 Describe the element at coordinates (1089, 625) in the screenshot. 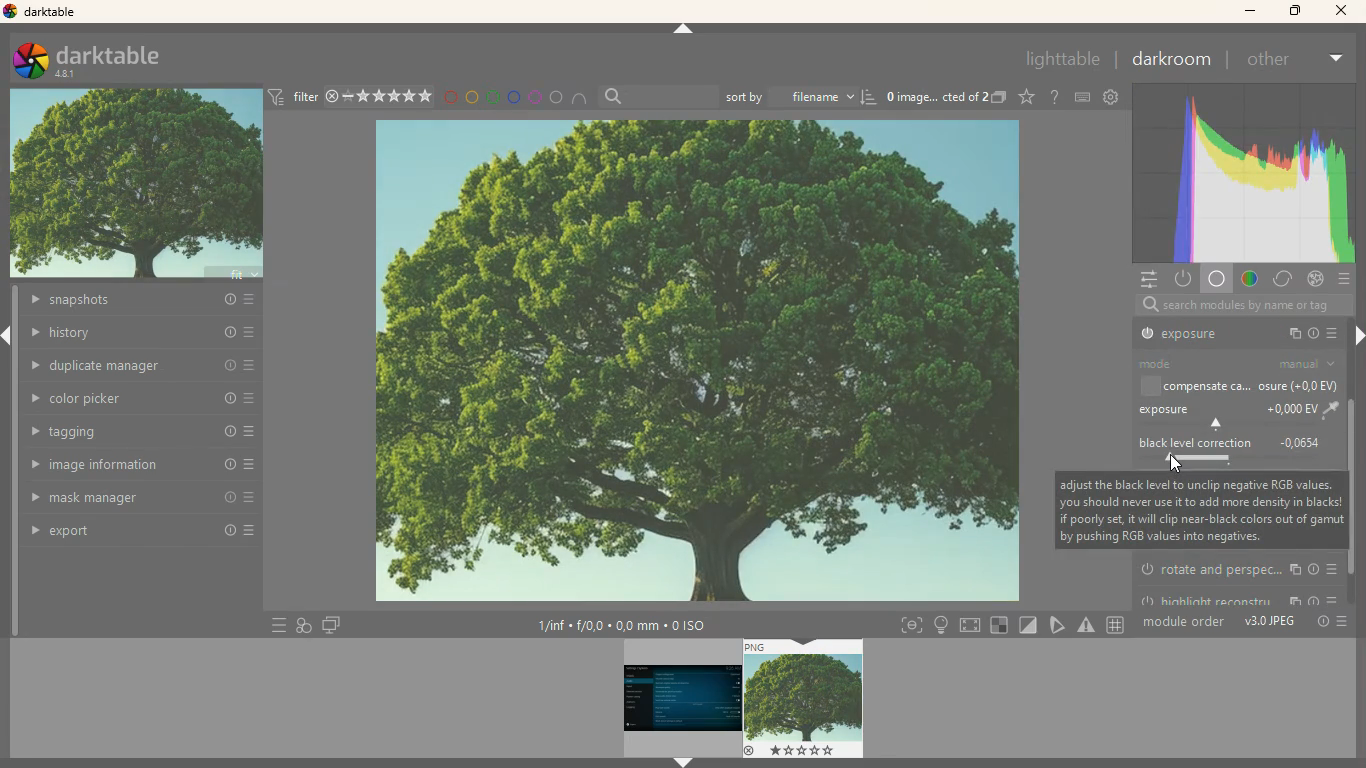

I see `warning` at that location.